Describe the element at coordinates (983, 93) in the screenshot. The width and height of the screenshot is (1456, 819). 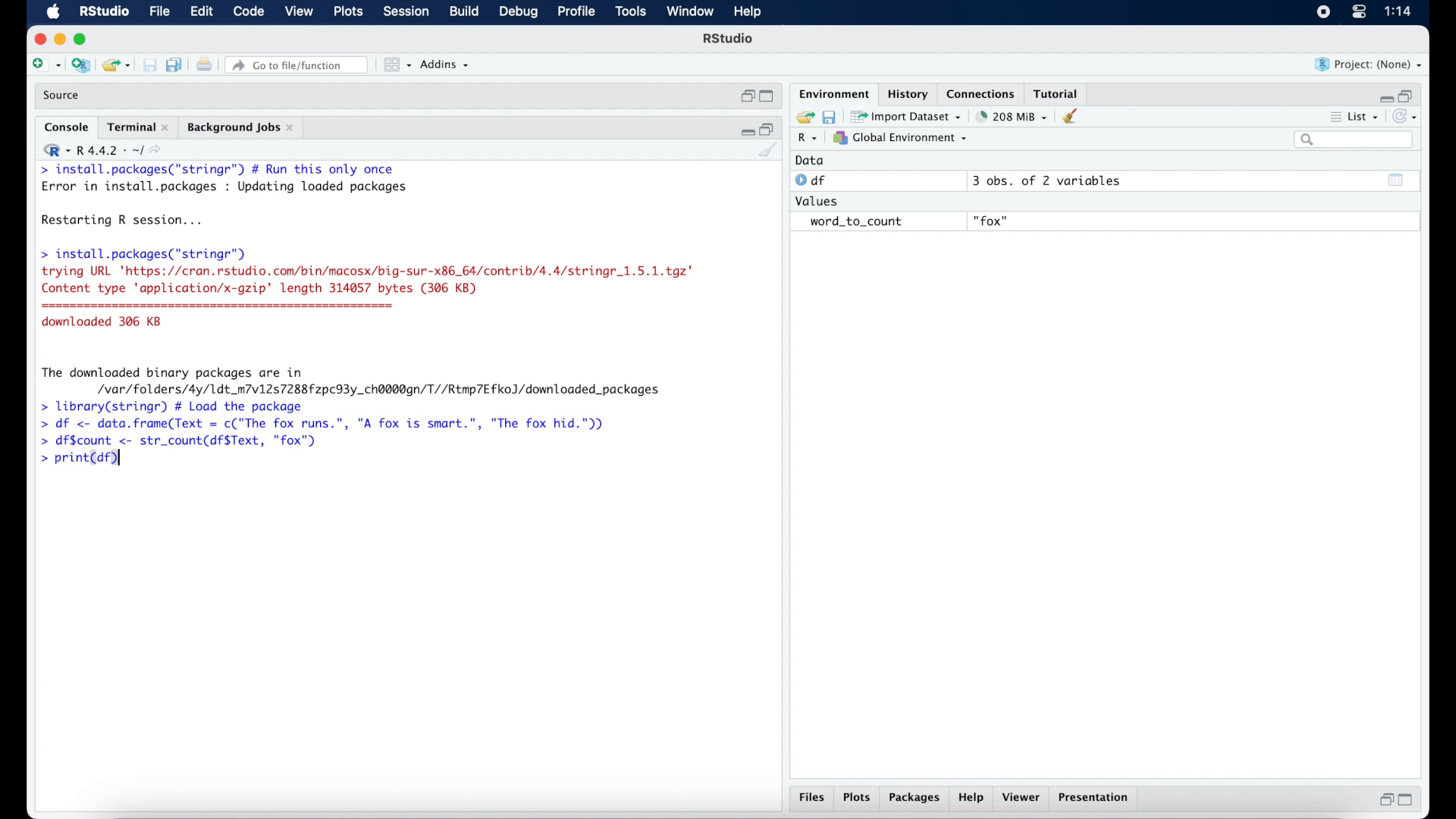
I see `connections` at that location.